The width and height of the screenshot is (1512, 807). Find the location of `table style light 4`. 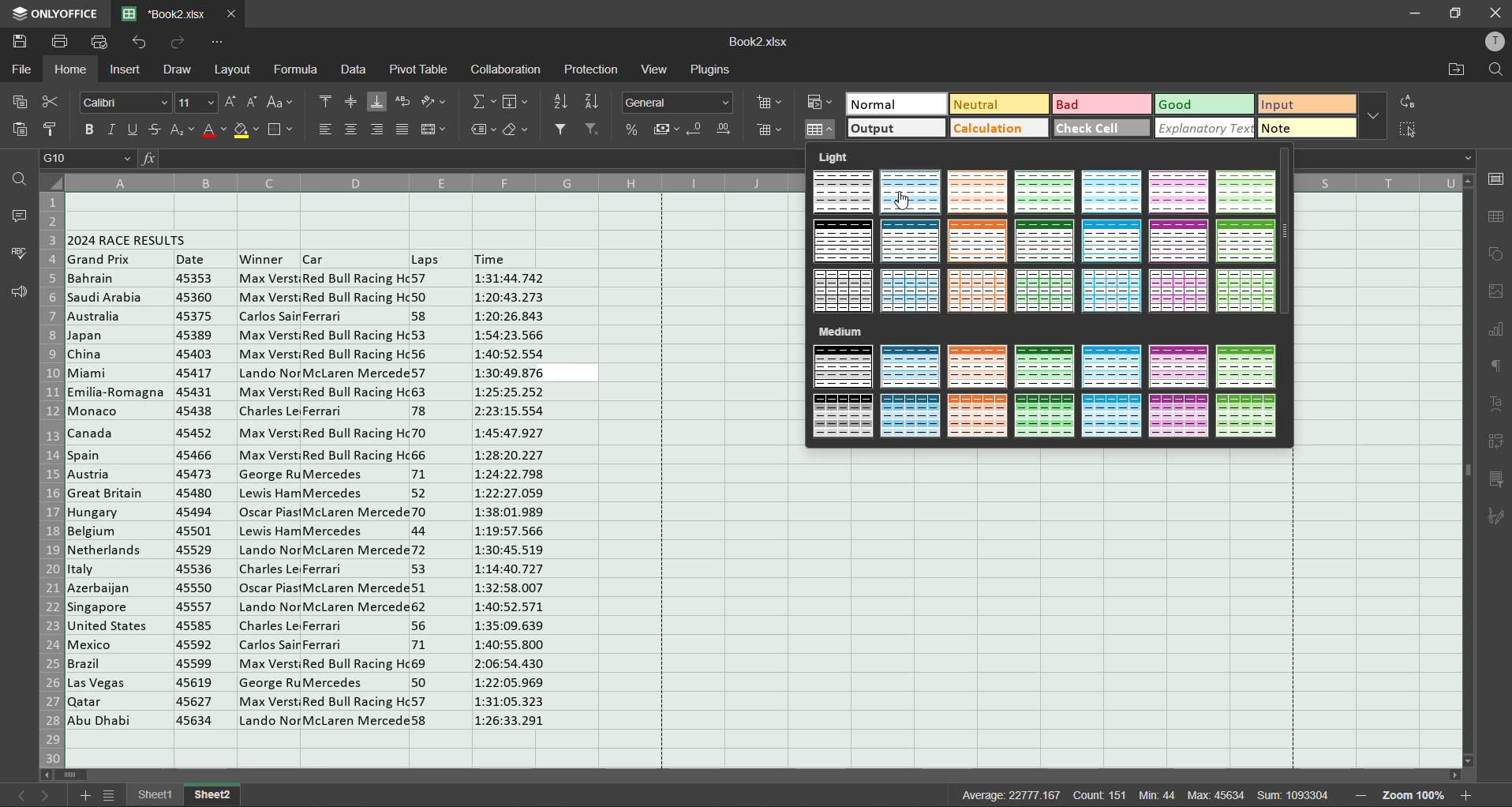

table style light 4 is located at coordinates (1043, 193).